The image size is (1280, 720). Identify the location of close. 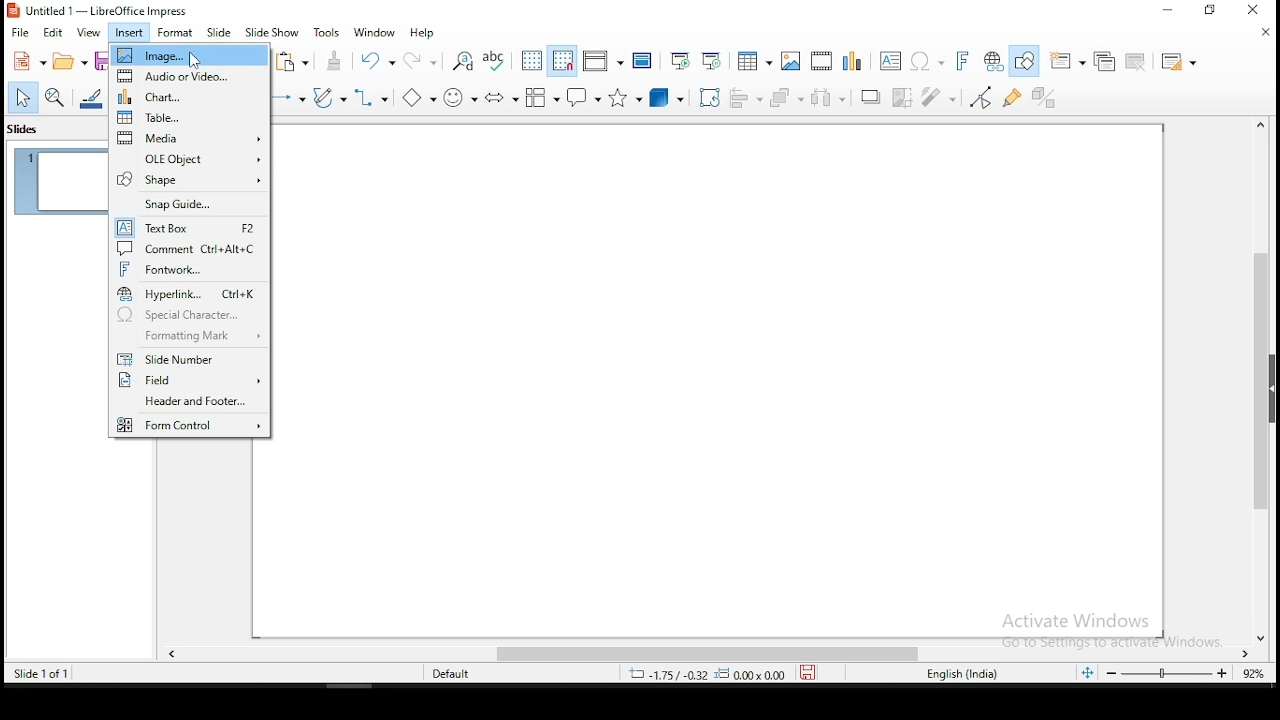
(1254, 31).